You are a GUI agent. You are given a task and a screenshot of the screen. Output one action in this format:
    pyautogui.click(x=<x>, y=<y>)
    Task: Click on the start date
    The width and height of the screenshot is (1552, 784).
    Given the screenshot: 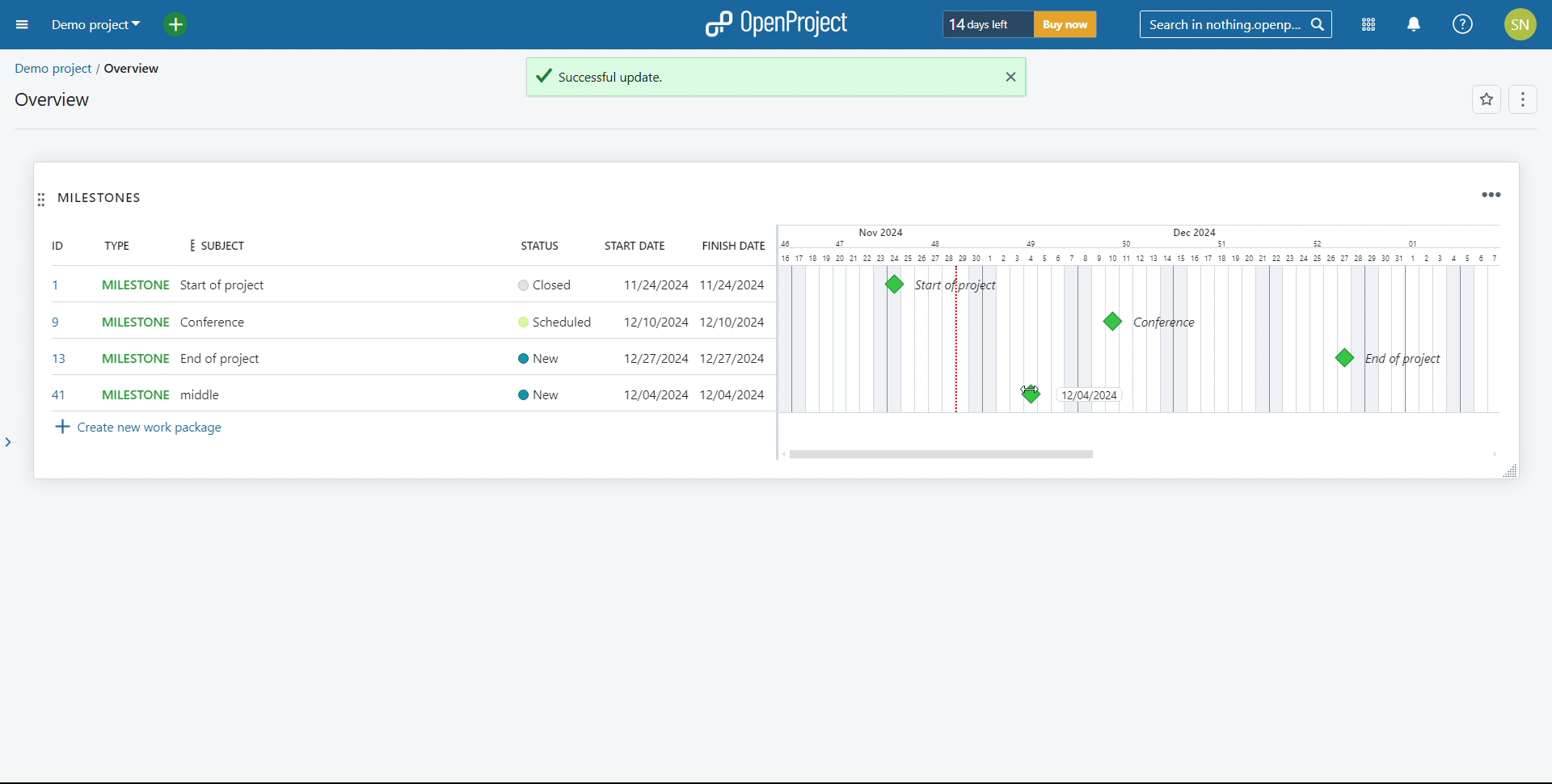 What is the action you would take?
    pyautogui.click(x=637, y=245)
    